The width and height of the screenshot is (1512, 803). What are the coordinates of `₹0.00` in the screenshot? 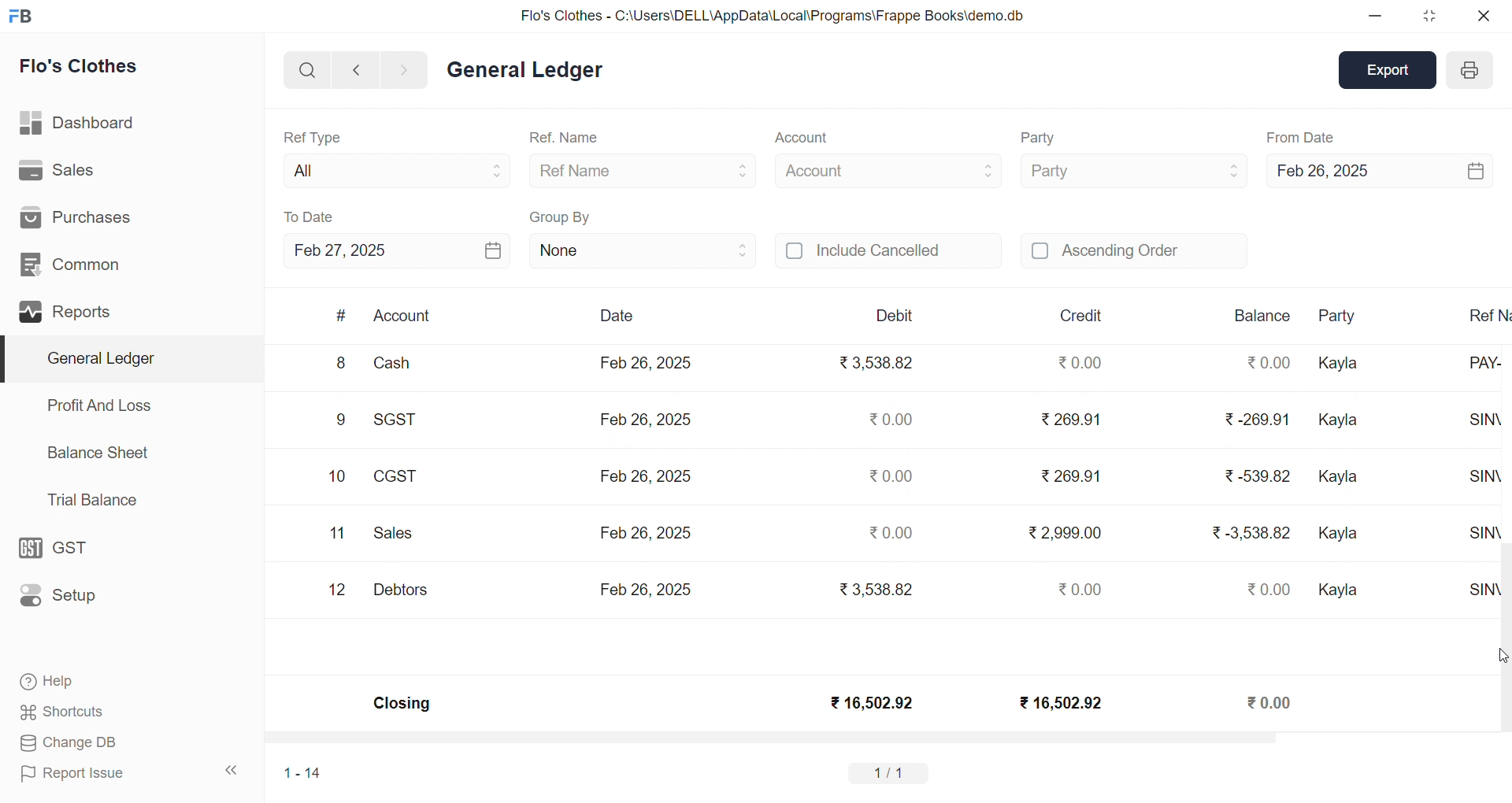 It's located at (1273, 589).